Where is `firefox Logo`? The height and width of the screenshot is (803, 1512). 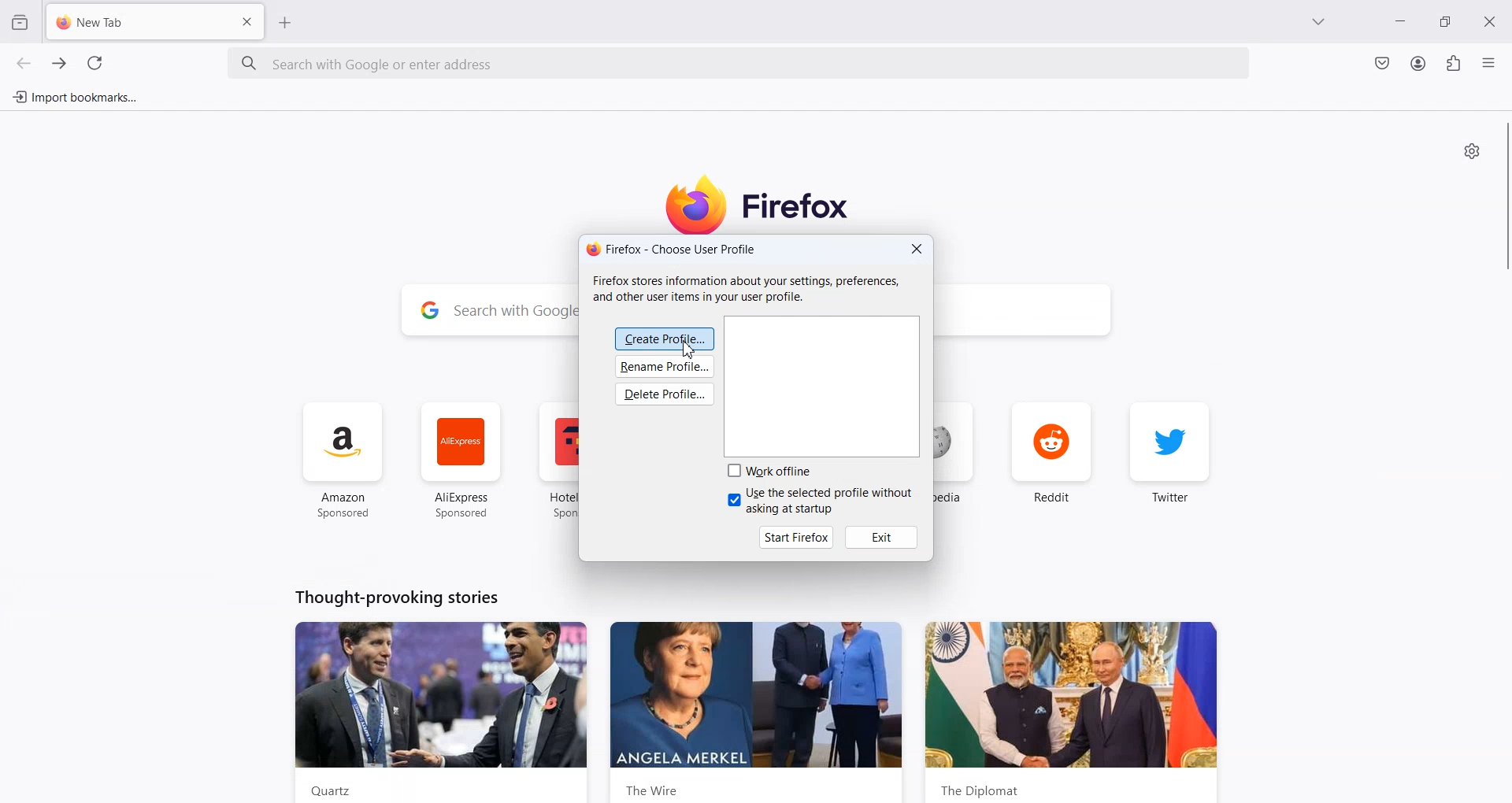
firefox Logo is located at coordinates (765, 203).